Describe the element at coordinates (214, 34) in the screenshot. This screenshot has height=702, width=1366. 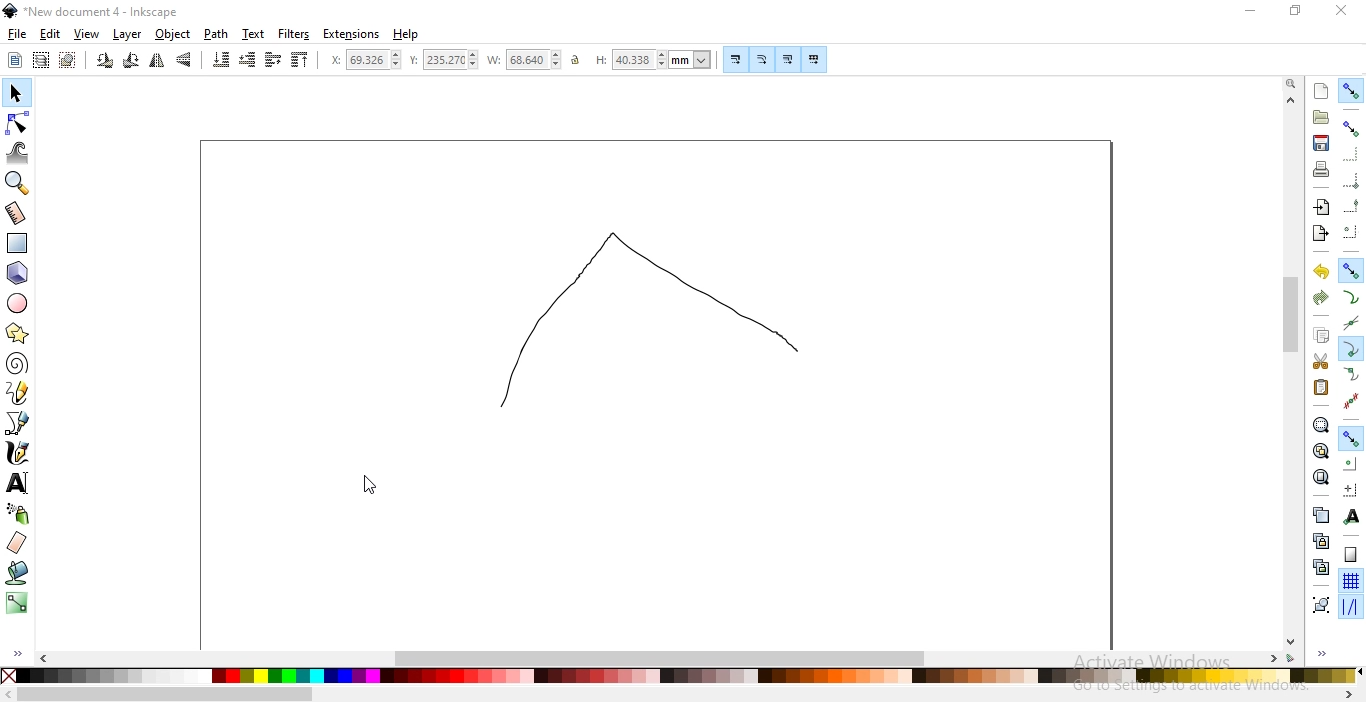
I see `path` at that location.